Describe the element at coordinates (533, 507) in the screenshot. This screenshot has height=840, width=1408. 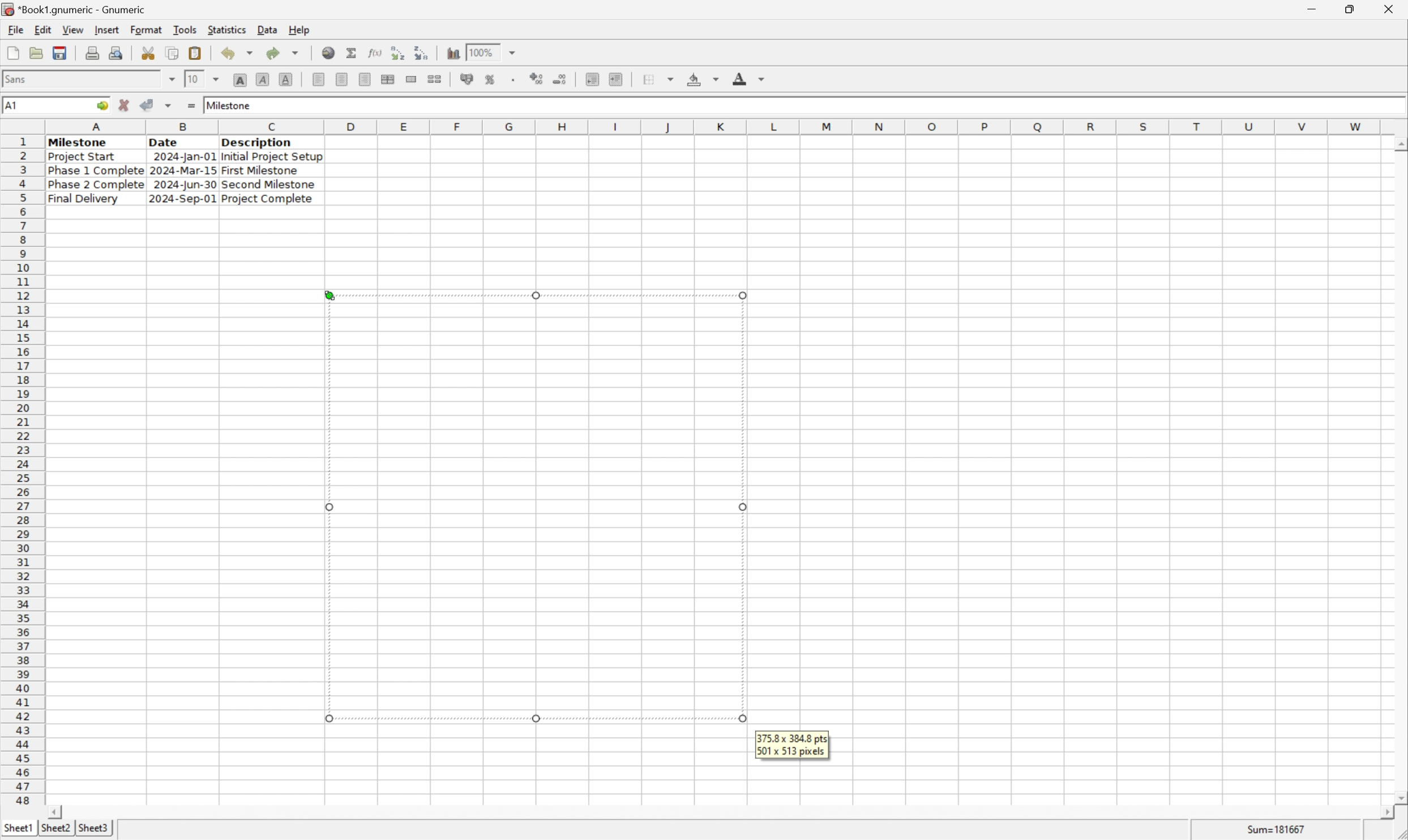
I see `area for chart selected` at that location.